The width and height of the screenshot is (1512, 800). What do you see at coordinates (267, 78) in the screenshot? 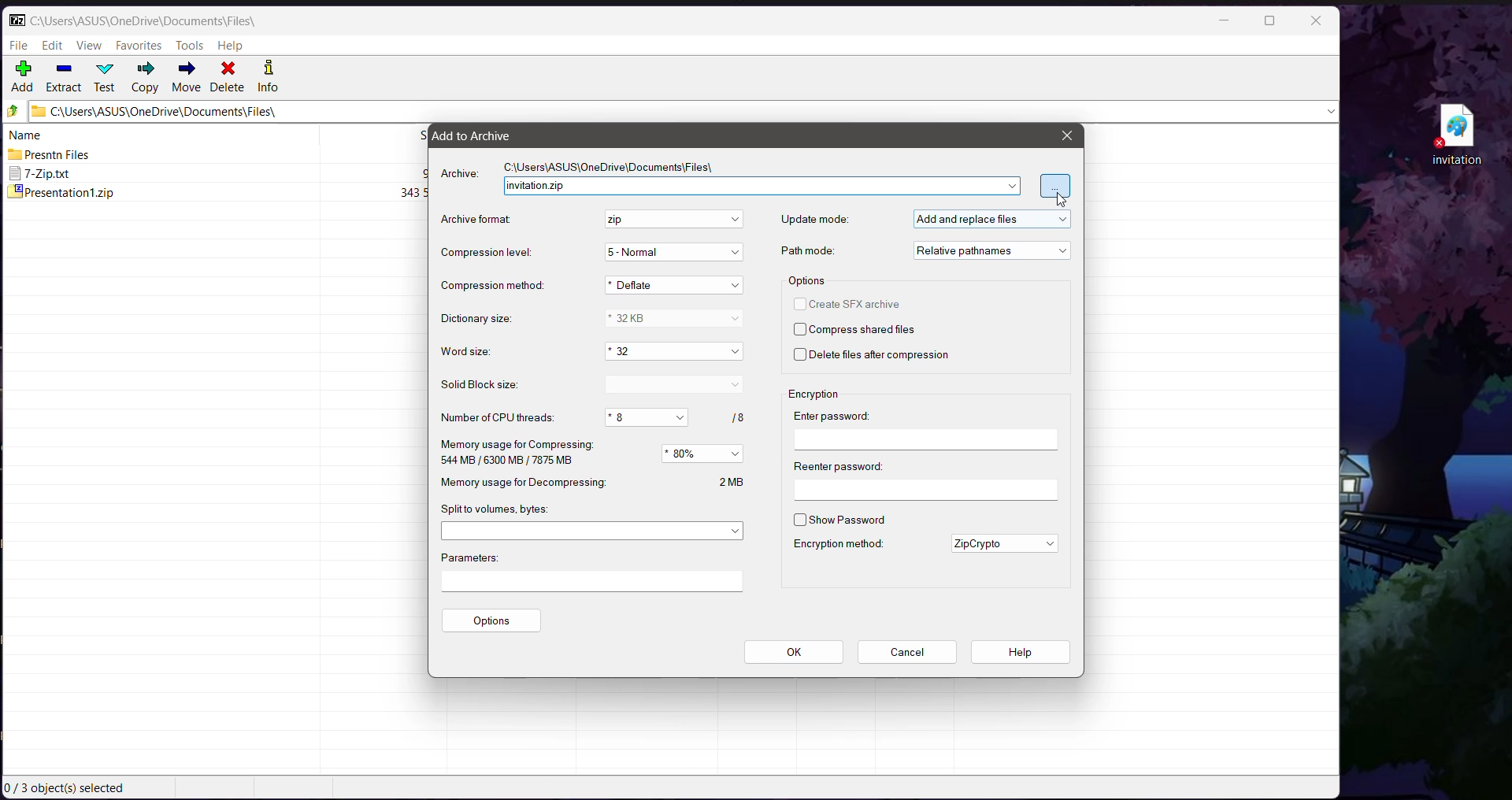
I see `Info` at bounding box center [267, 78].